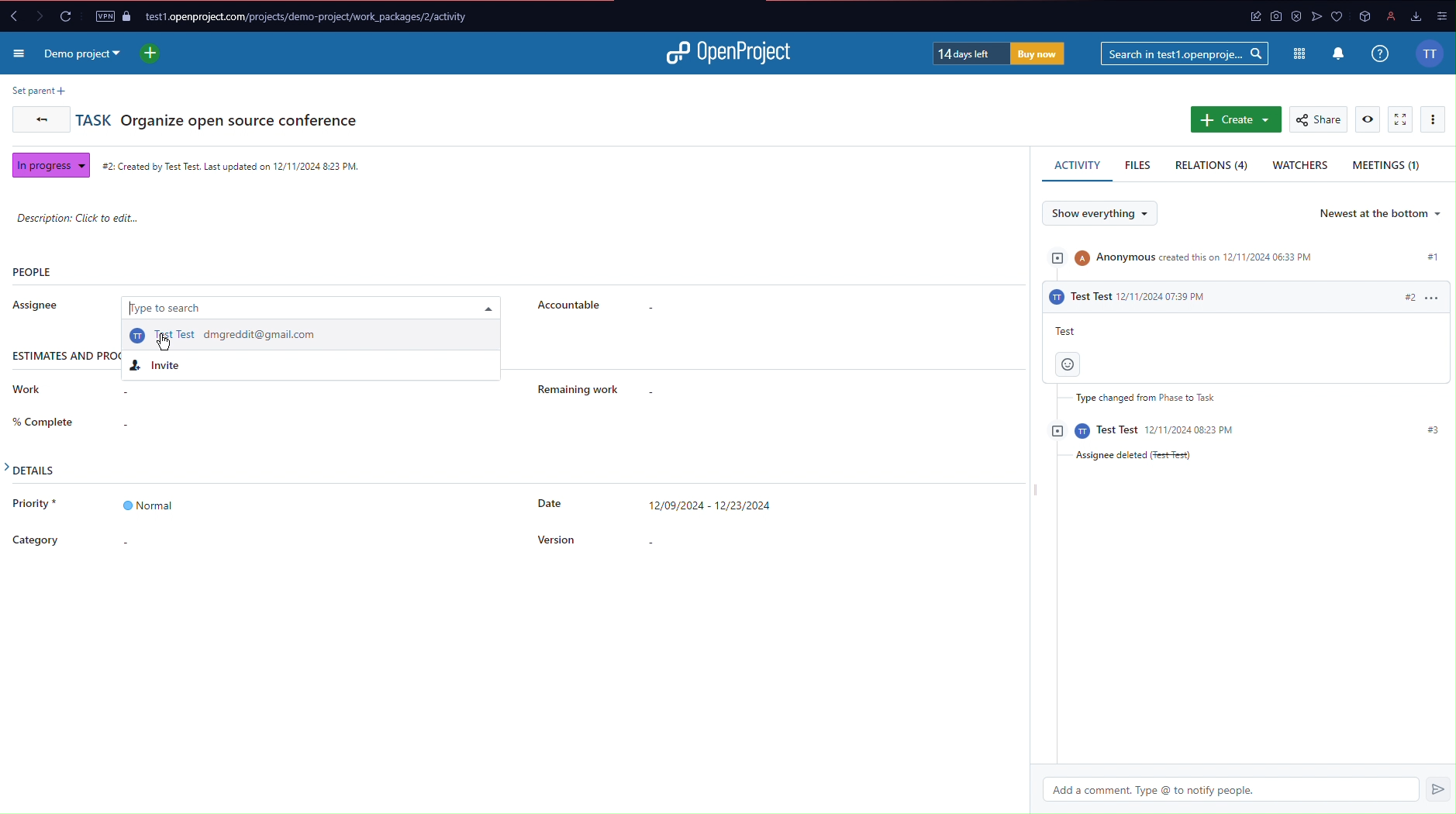 This screenshot has height=814, width=1456. I want to click on Emoji button, so click(1068, 365).